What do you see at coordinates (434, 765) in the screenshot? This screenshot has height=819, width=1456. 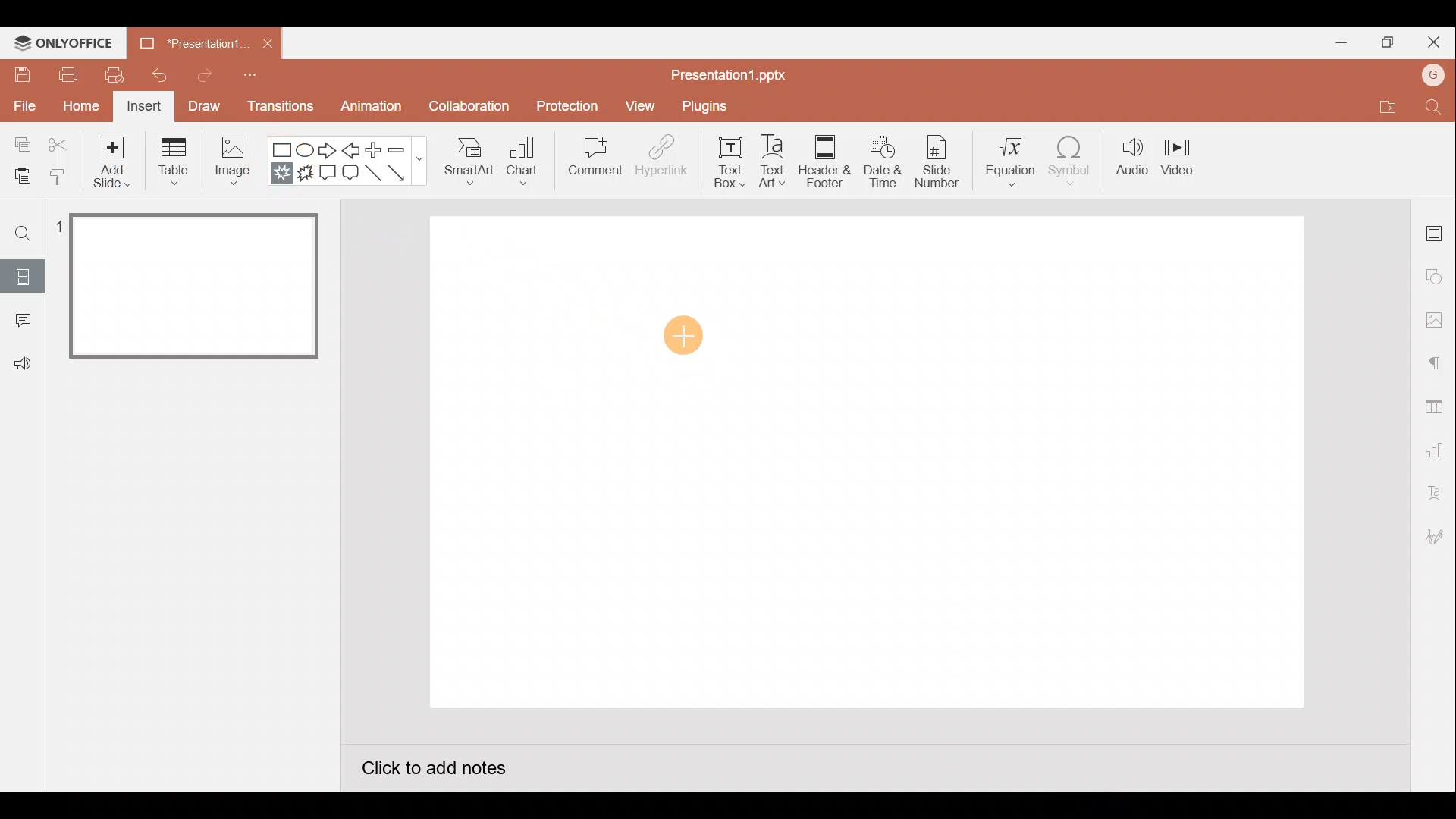 I see `Click to add notes` at bounding box center [434, 765].